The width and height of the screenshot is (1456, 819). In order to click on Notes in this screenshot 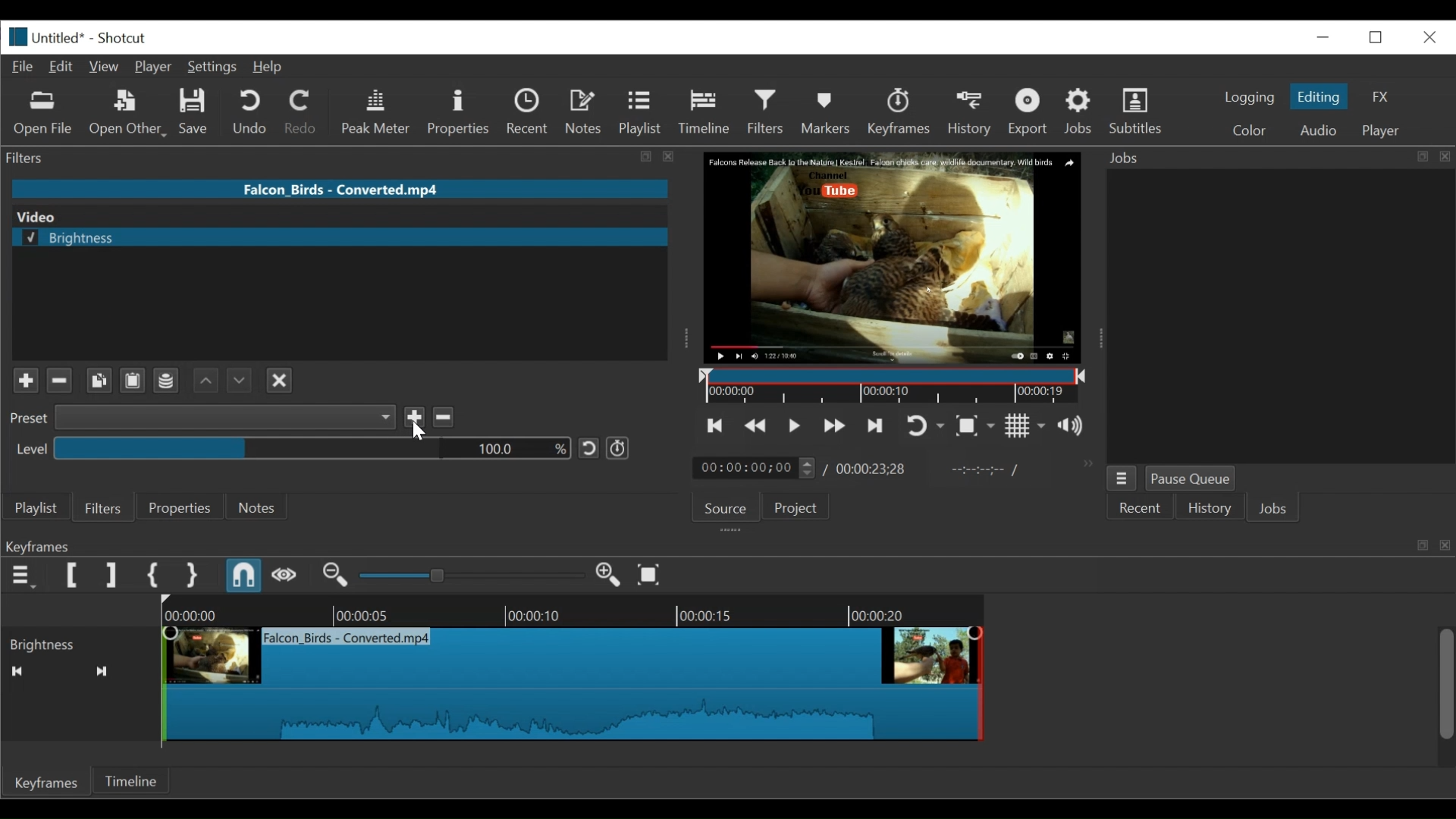, I will do `click(261, 507)`.